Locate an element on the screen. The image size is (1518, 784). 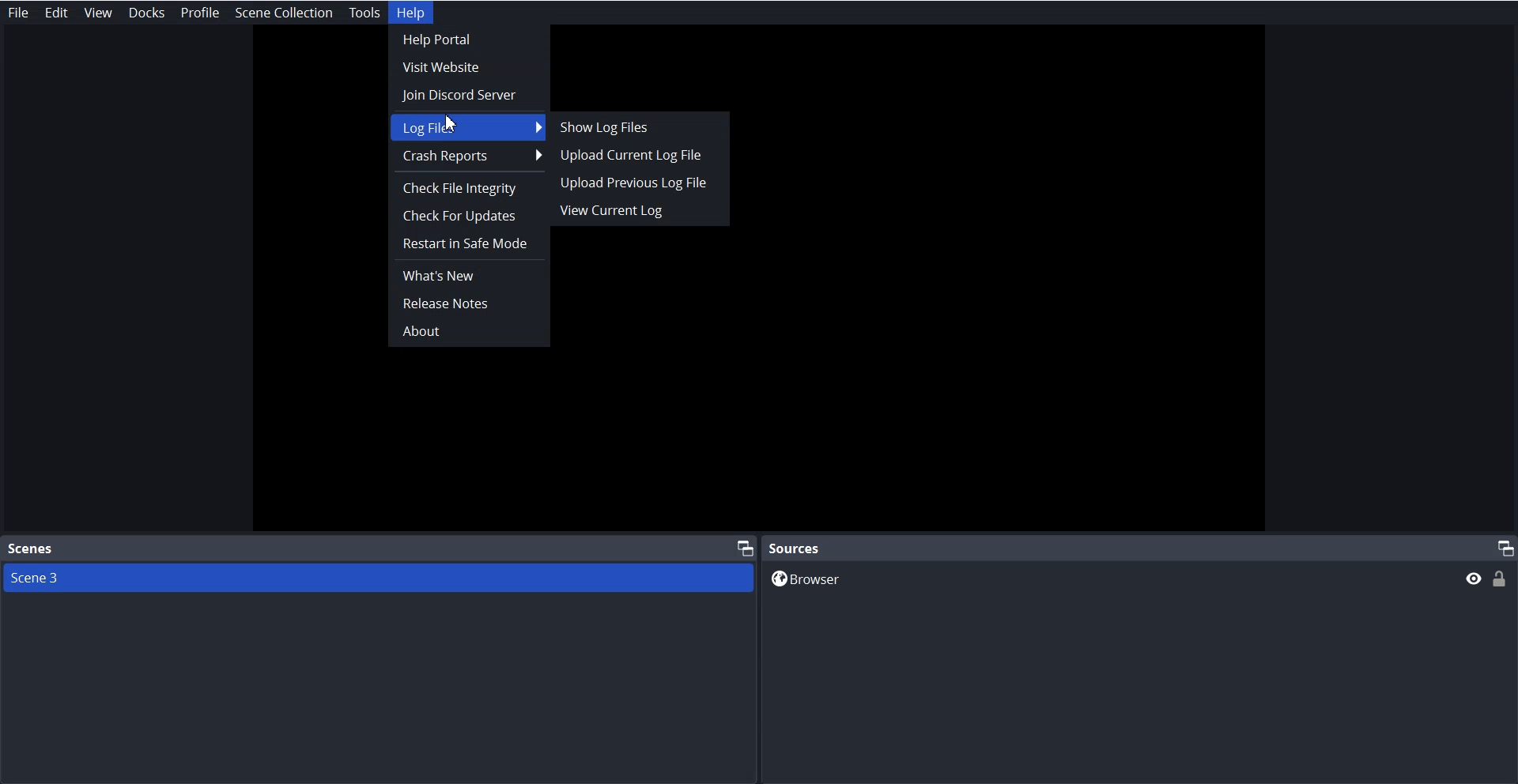
Scene 3 is located at coordinates (380, 579).